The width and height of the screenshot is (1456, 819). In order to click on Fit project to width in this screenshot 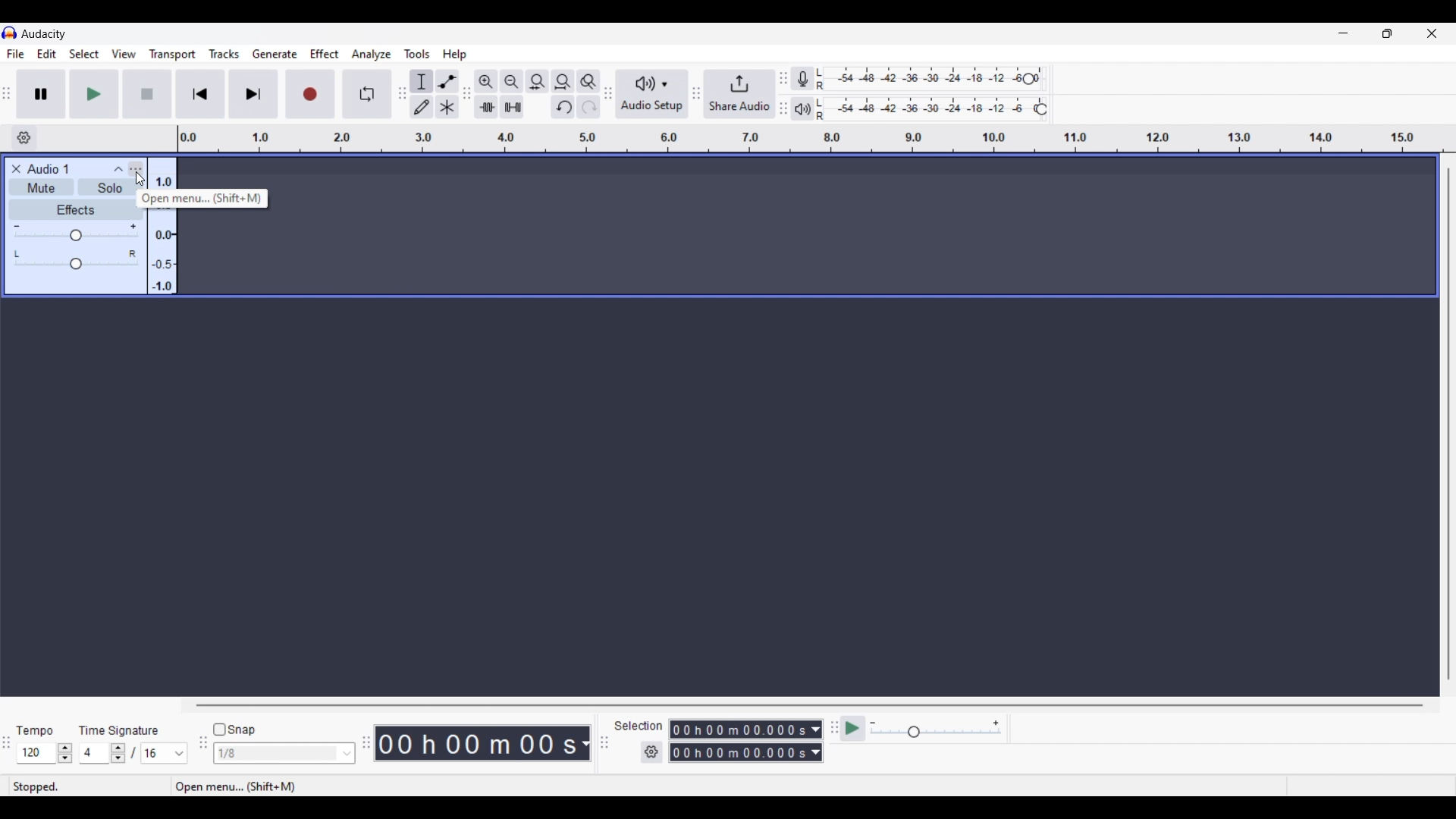, I will do `click(563, 81)`.